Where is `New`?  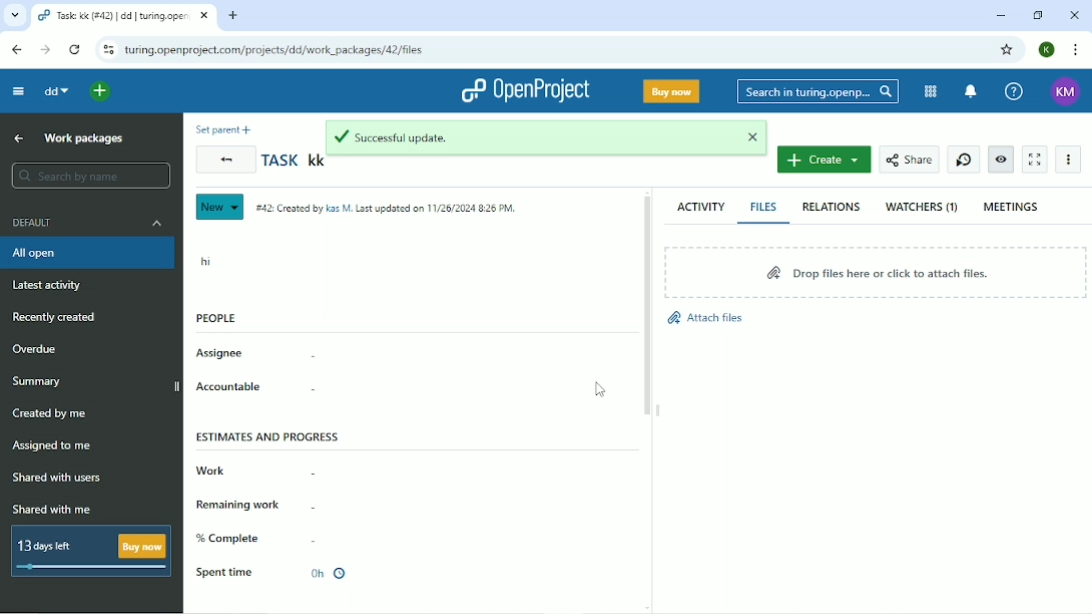 New is located at coordinates (219, 207).